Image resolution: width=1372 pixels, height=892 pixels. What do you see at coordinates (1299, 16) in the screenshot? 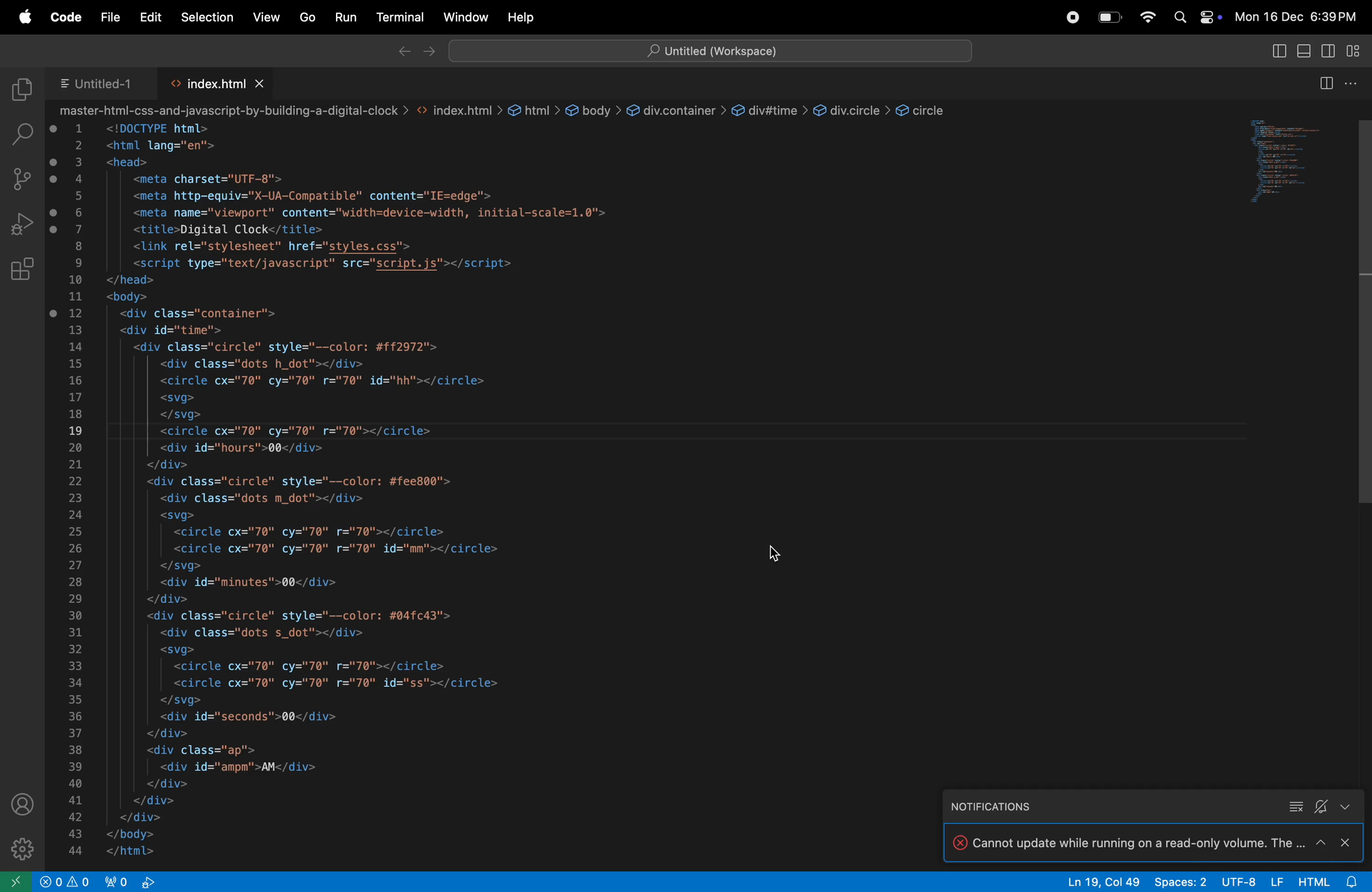
I see `date and time` at bounding box center [1299, 16].